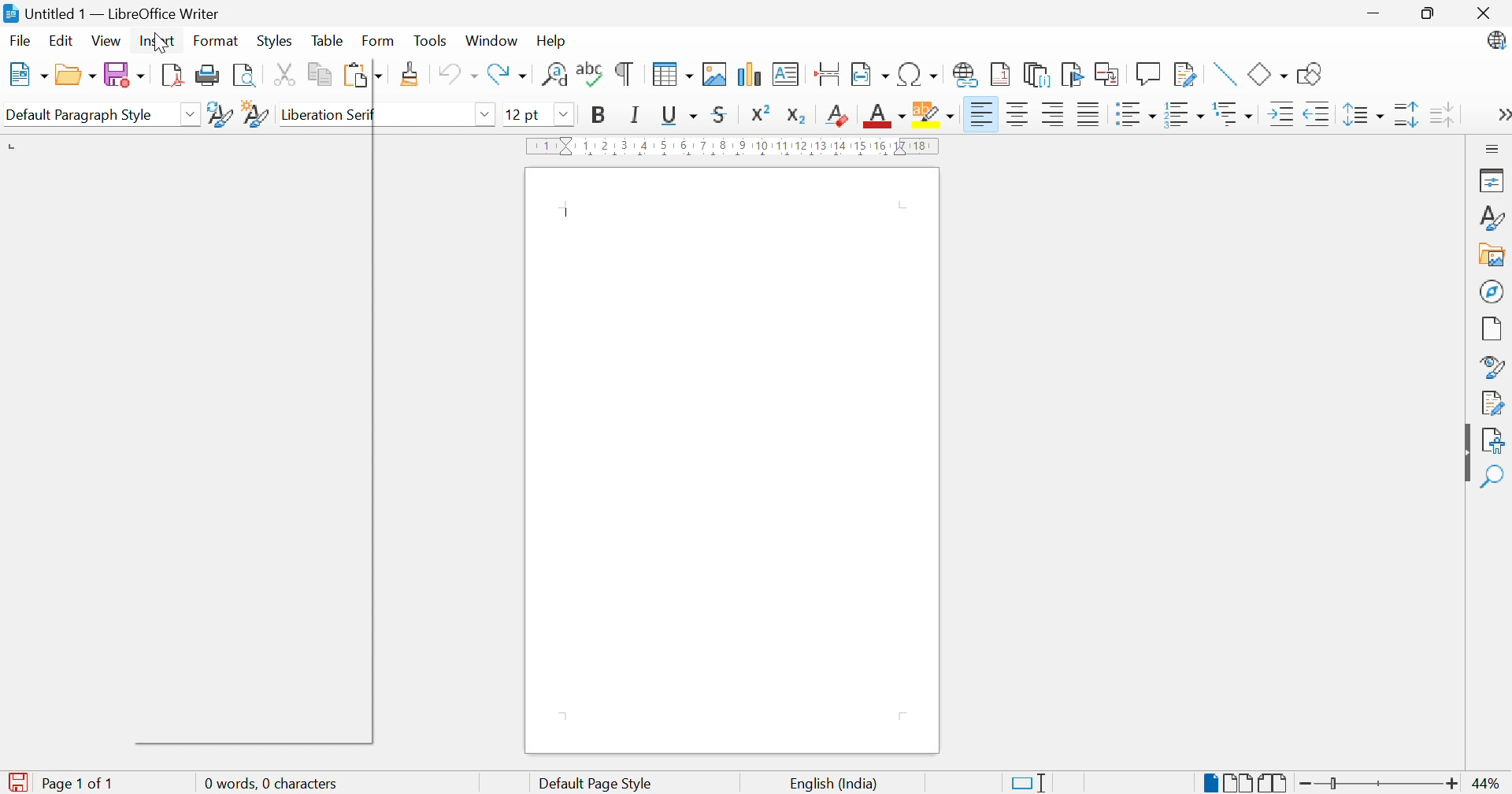 Image resolution: width=1512 pixels, height=794 pixels. I want to click on Character highlighting color, so click(935, 114).